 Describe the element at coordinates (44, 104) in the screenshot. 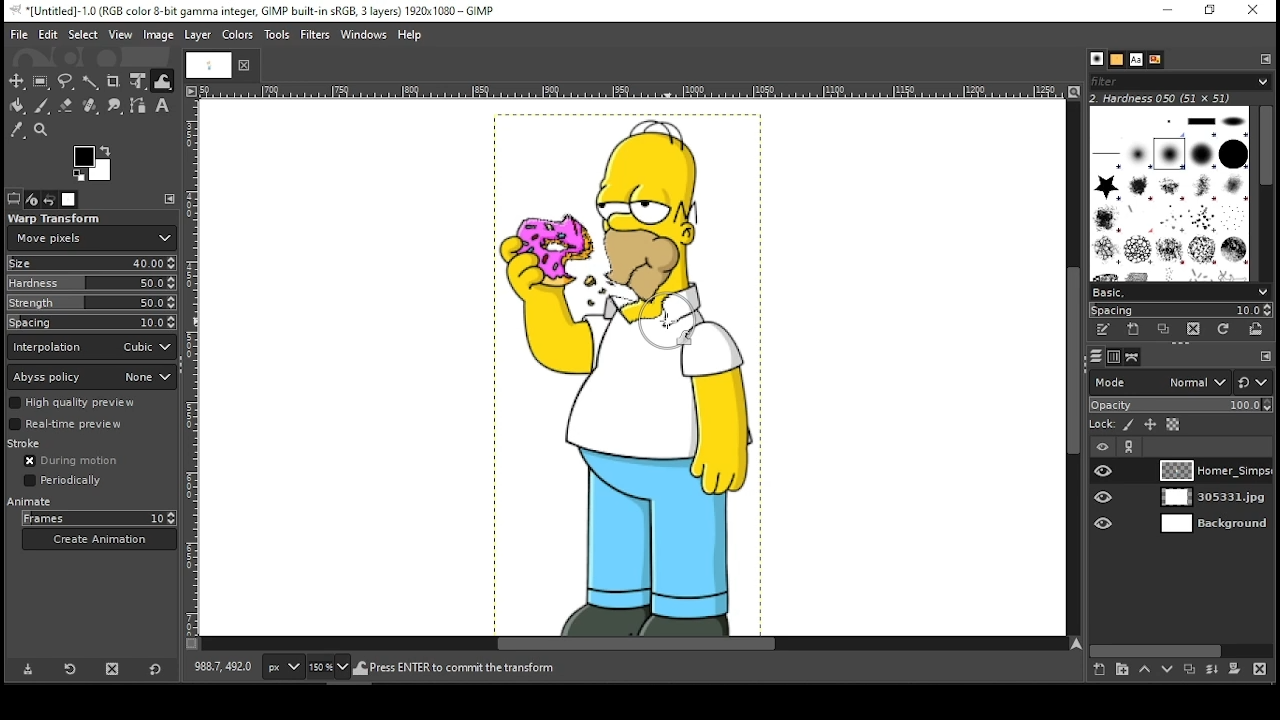

I see `paint brush tool` at that location.